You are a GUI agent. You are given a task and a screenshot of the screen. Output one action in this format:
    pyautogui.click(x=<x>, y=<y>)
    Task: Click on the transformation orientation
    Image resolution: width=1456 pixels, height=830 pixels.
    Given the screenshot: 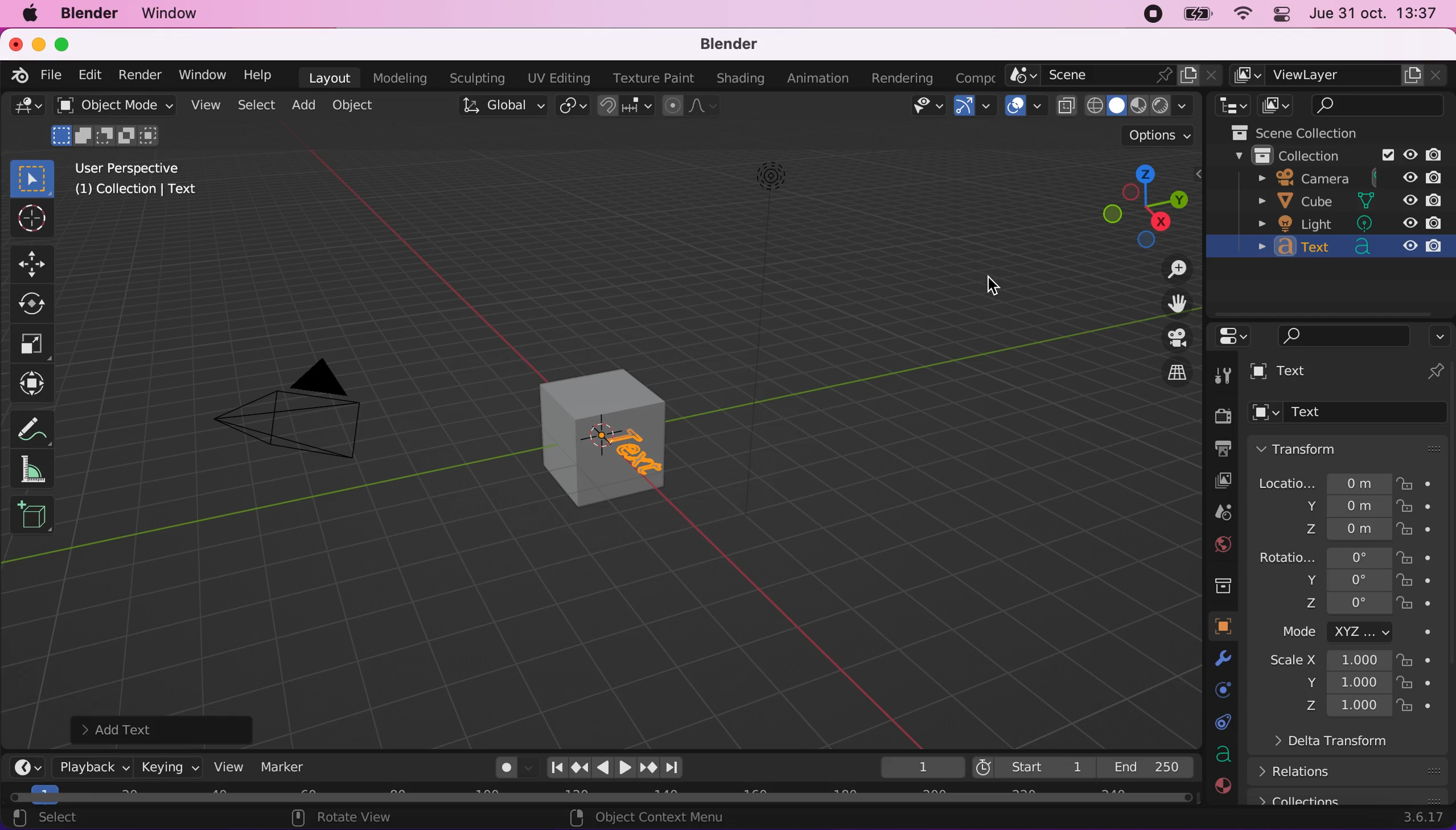 What is the action you would take?
    pyautogui.click(x=497, y=109)
    